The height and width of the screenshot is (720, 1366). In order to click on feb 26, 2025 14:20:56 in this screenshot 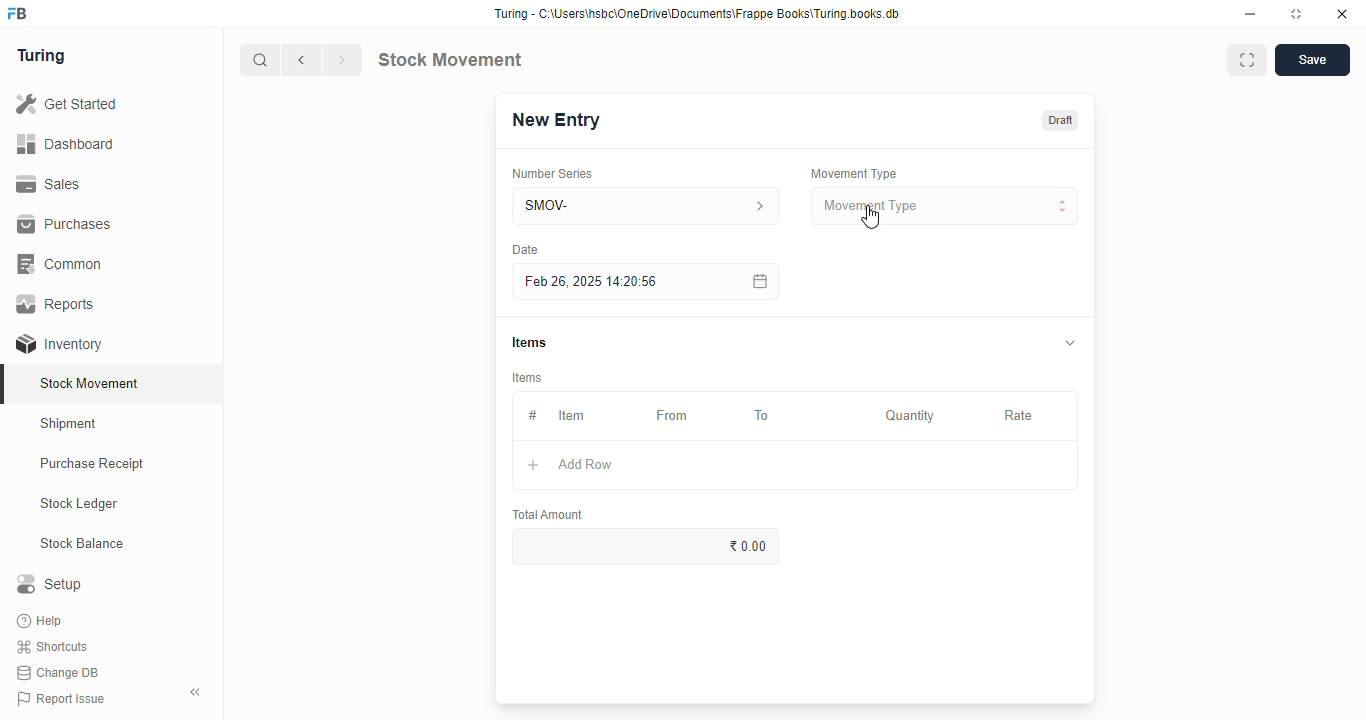, I will do `click(595, 282)`.